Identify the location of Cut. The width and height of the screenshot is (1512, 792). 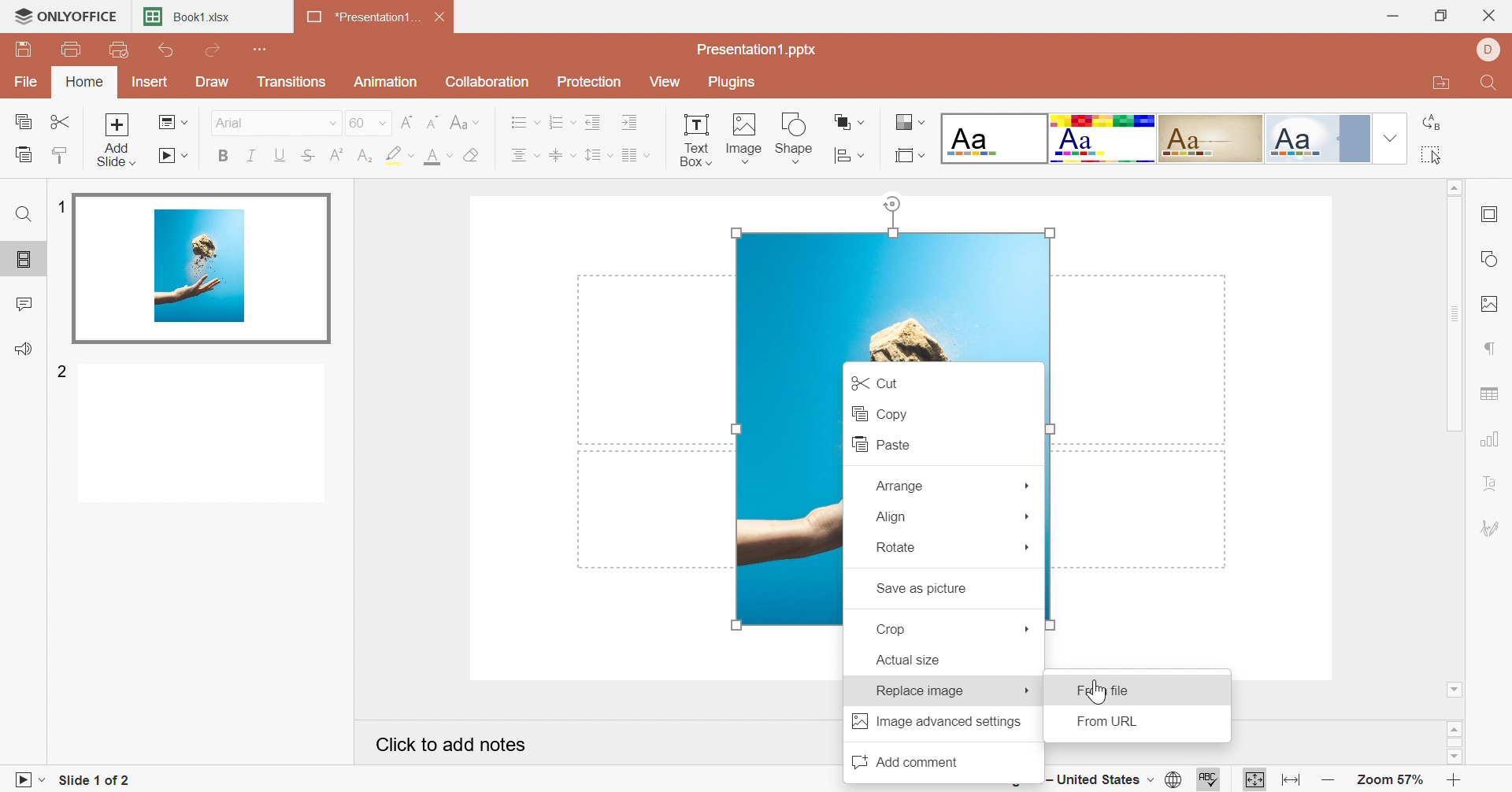
(62, 121).